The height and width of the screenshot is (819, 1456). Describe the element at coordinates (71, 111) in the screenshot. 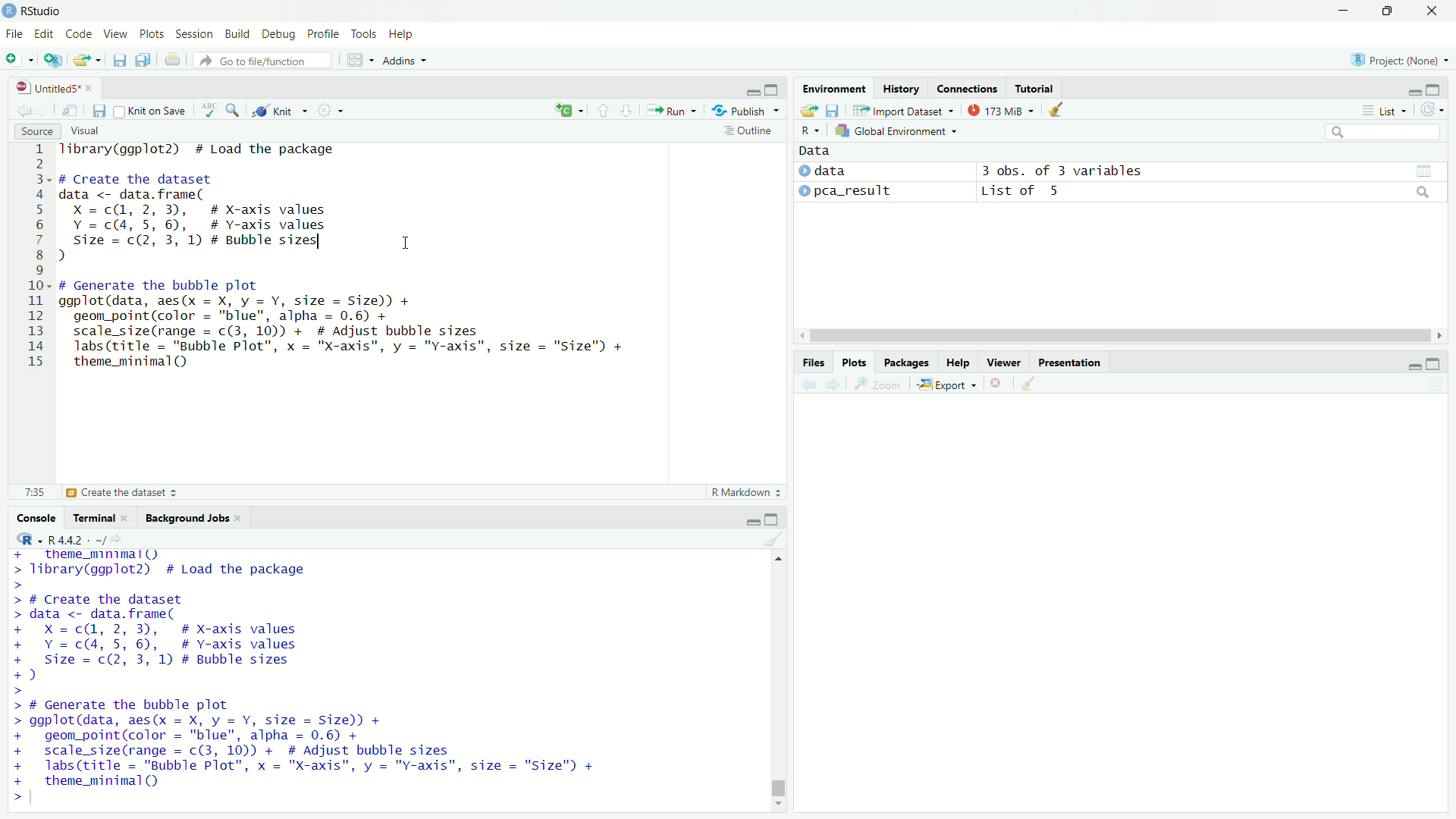

I see `show in new window` at that location.